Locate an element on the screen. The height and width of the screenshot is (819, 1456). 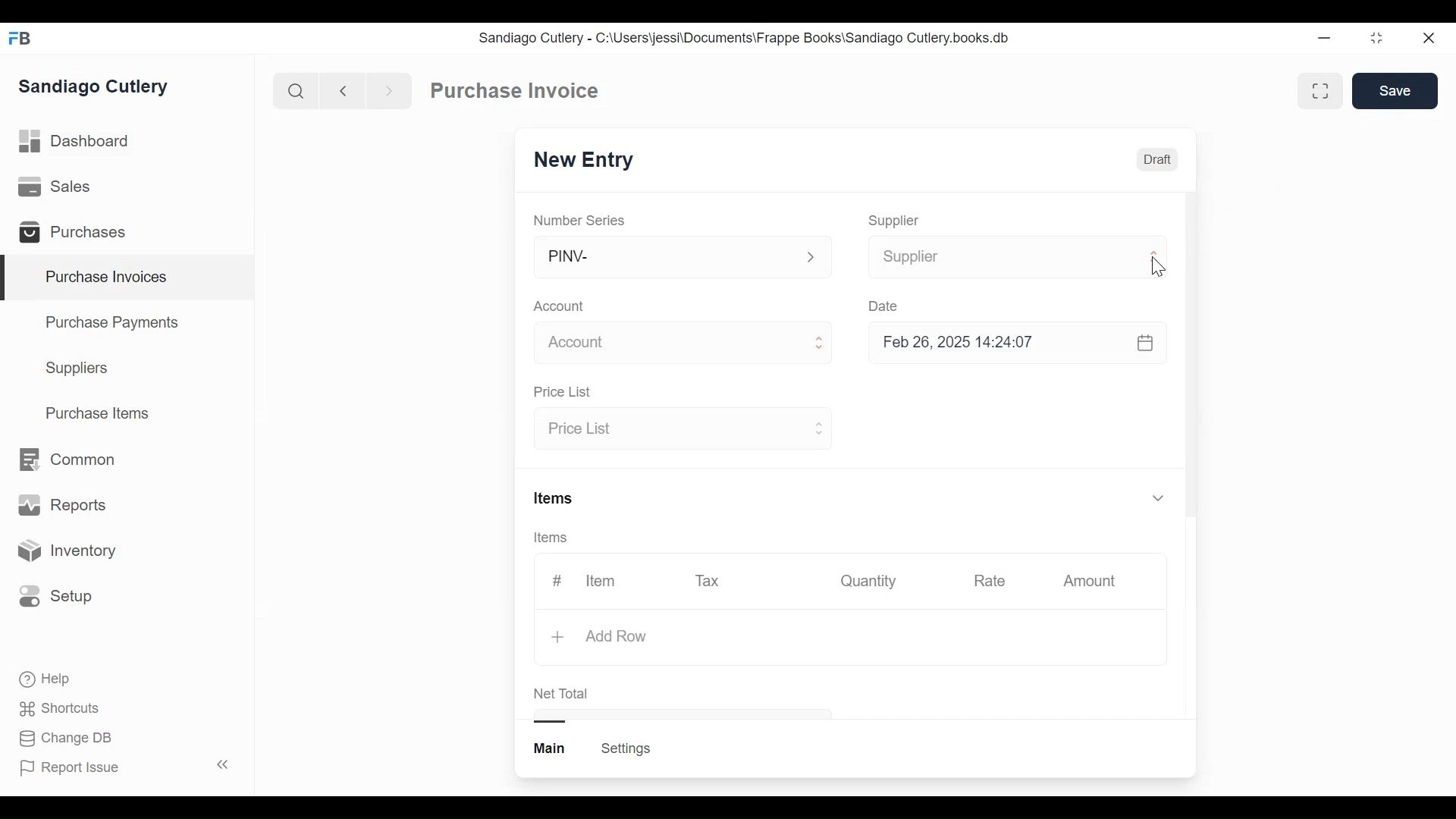
Expand is located at coordinates (820, 344).